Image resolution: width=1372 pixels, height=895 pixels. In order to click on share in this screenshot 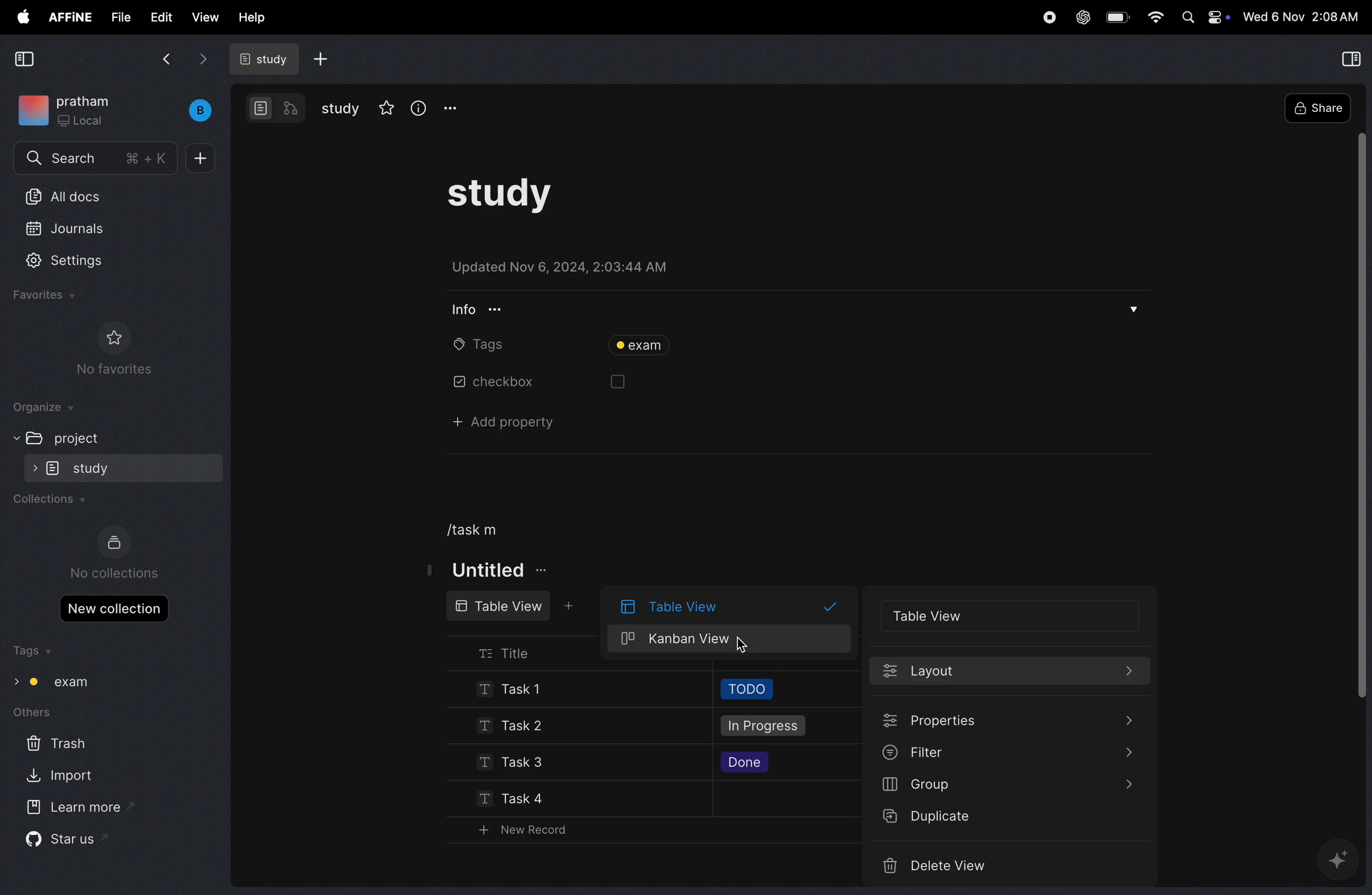, I will do `click(1317, 107)`.